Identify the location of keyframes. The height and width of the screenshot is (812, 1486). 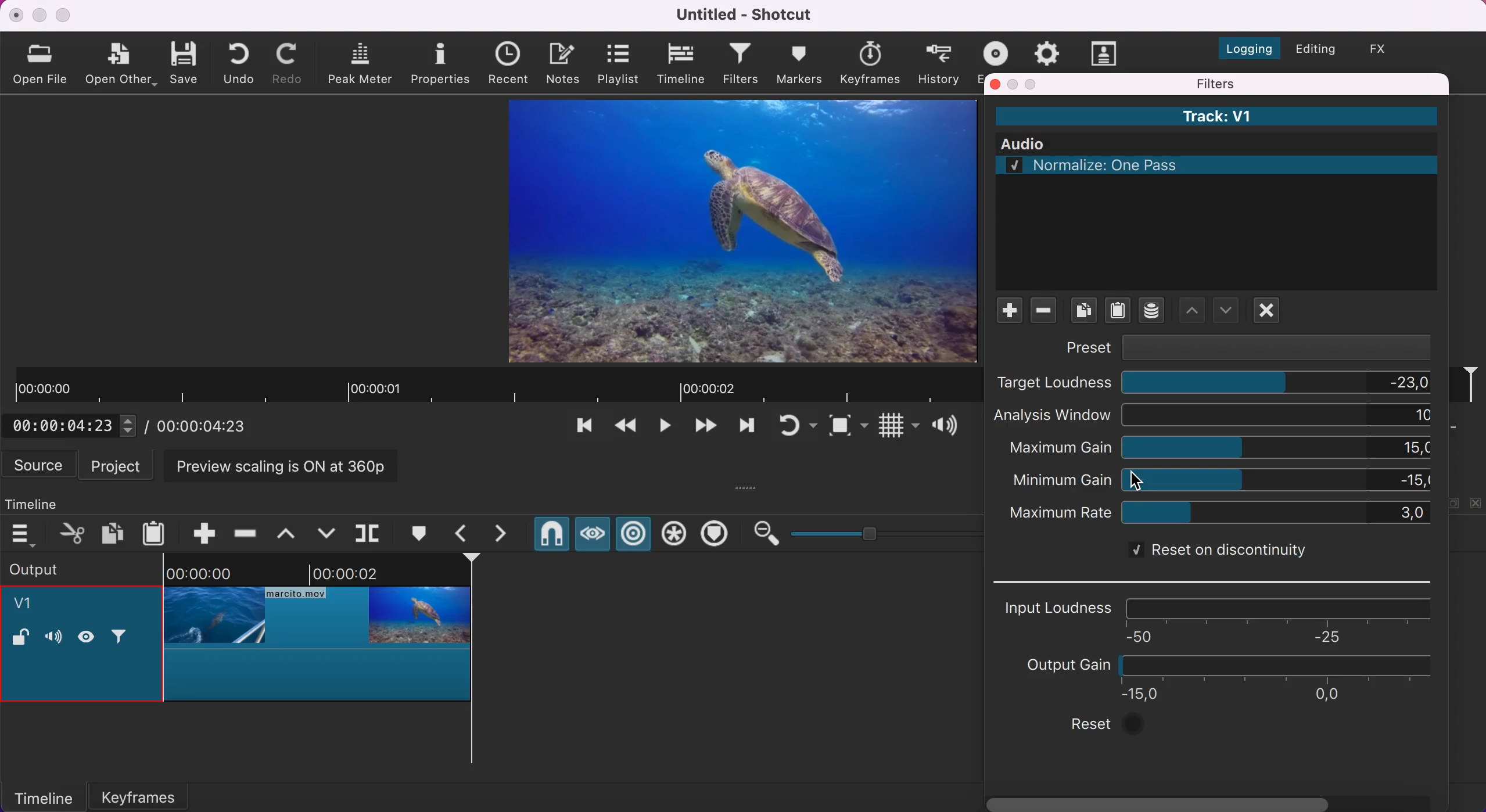
(153, 793).